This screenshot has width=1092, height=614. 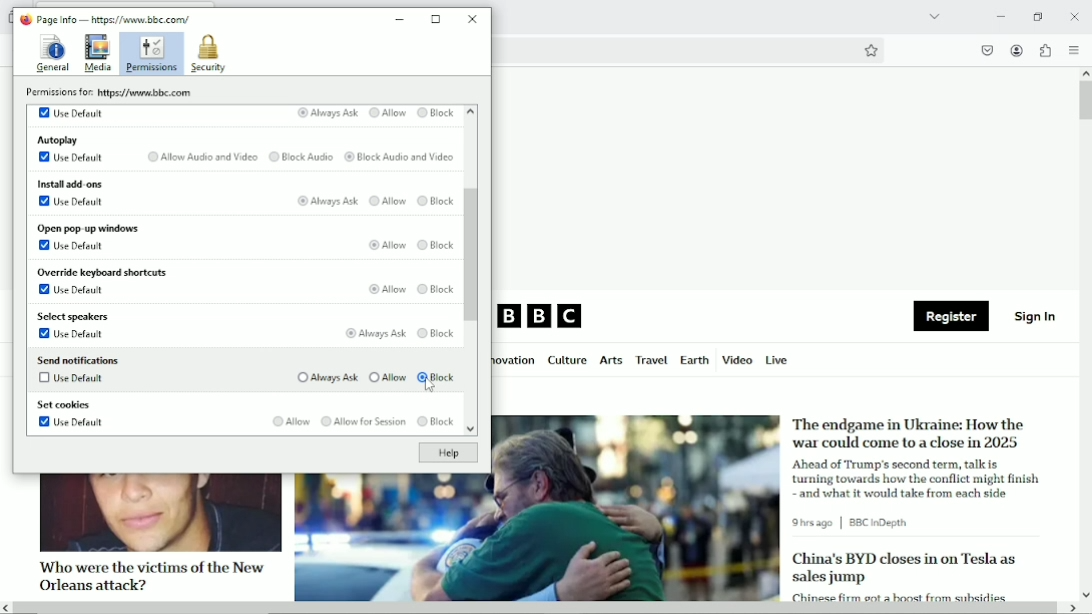 What do you see at coordinates (326, 113) in the screenshot?
I see `Always ask` at bounding box center [326, 113].